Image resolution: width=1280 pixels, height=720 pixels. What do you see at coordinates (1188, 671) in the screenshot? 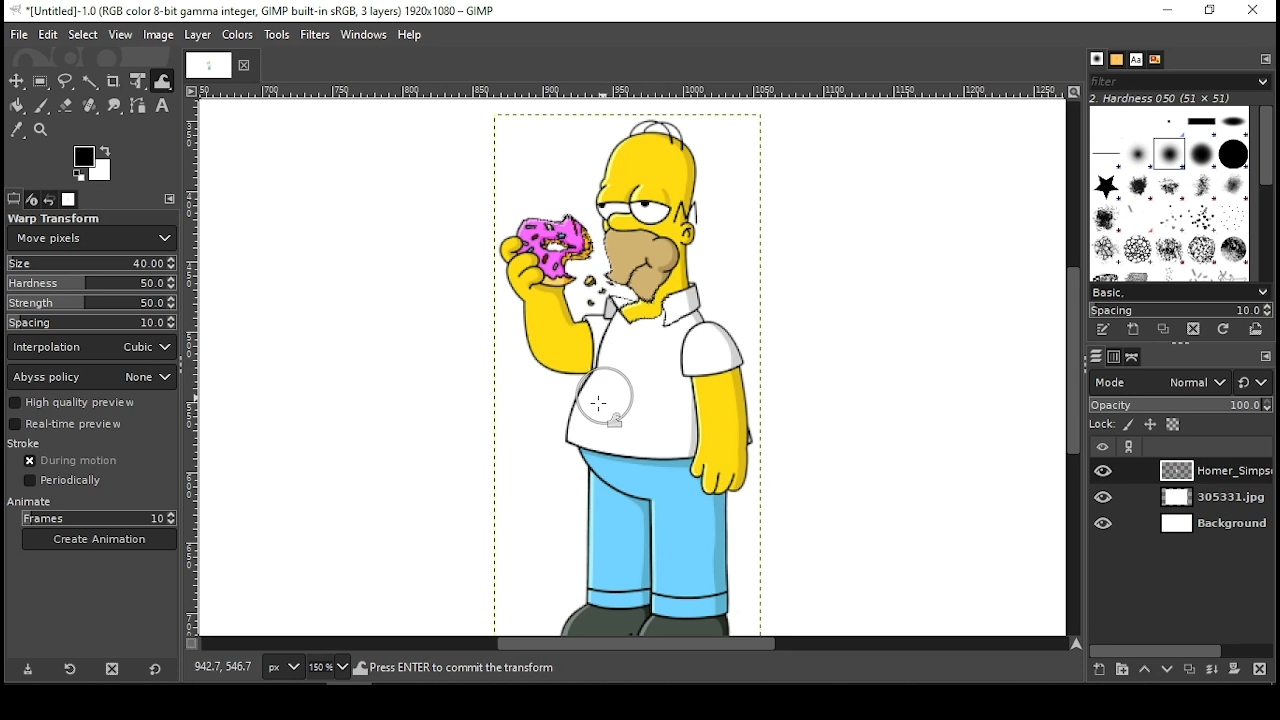
I see `duplicate layer` at bounding box center [1188, 671].